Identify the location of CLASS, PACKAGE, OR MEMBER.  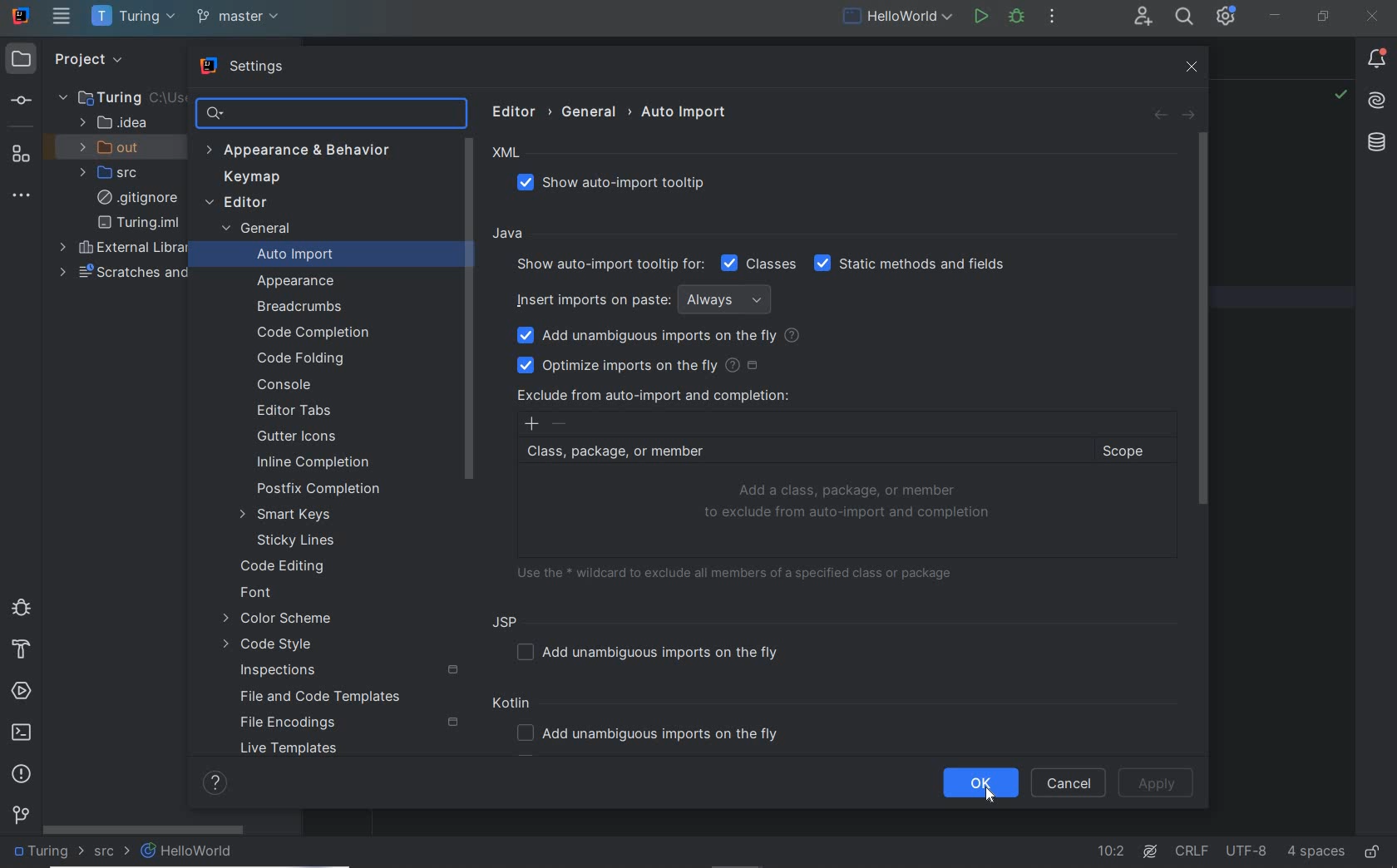
(801, 452).